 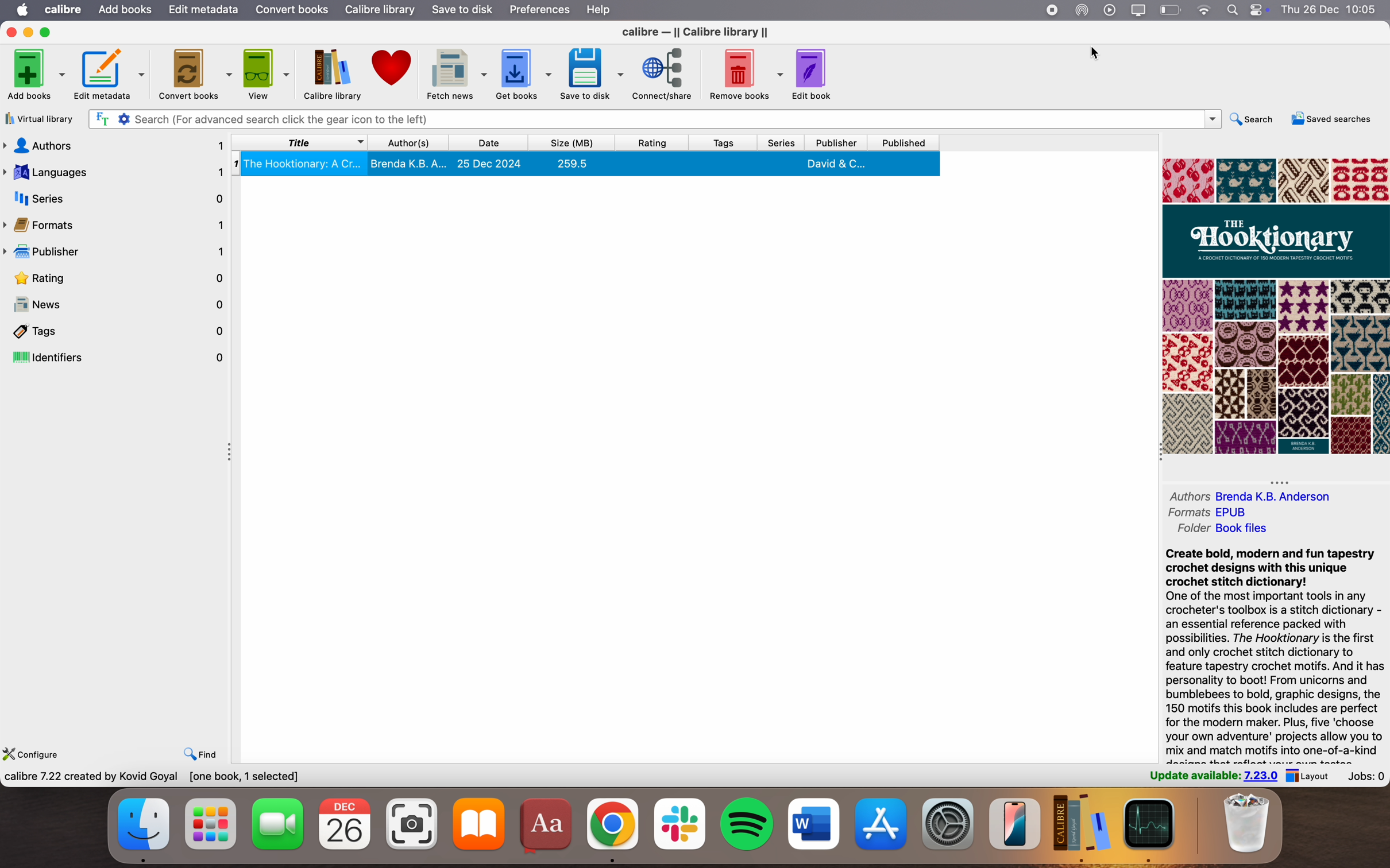 What do you see at coordinates (265, 73) in the screenshot?
I see `view` at bounding box center [265, 73].